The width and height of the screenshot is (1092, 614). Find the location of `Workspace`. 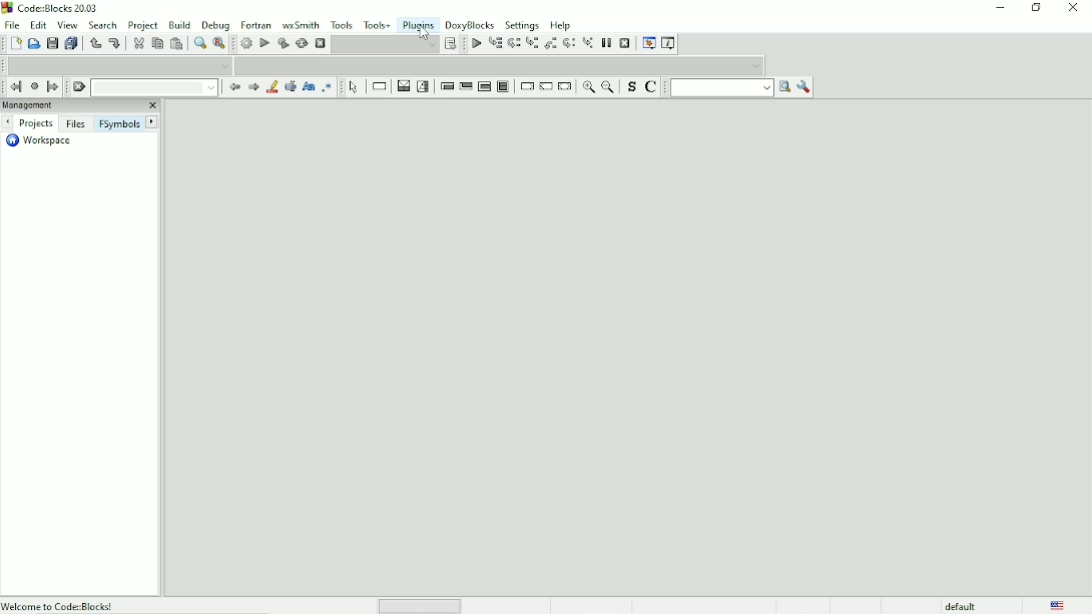

Workspace is located at coordinates (37, 141).